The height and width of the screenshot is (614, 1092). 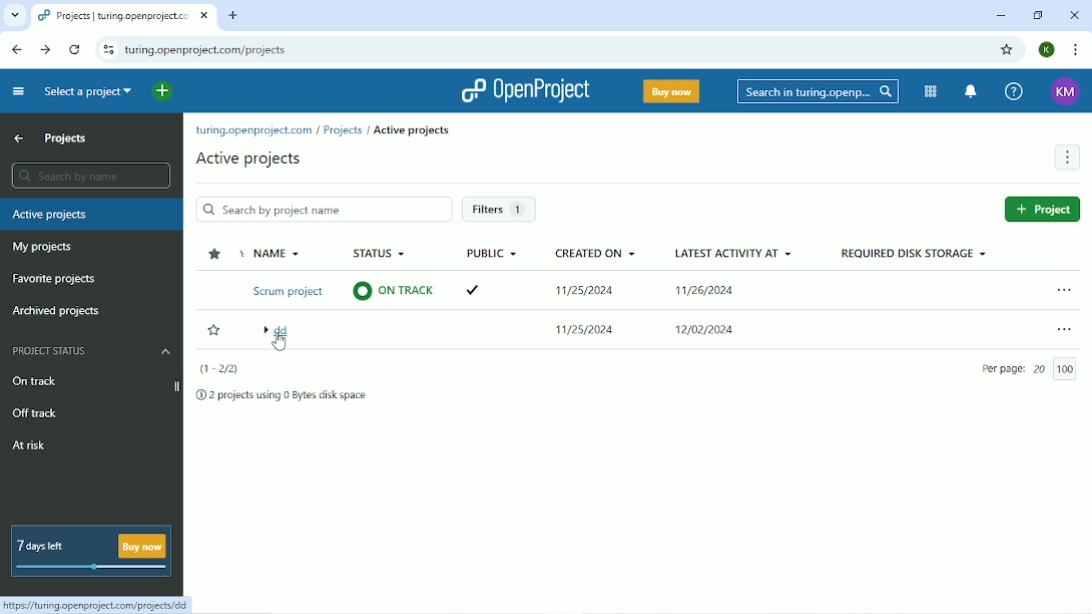 I want to click on Current tab, so click(x=123, y=16).